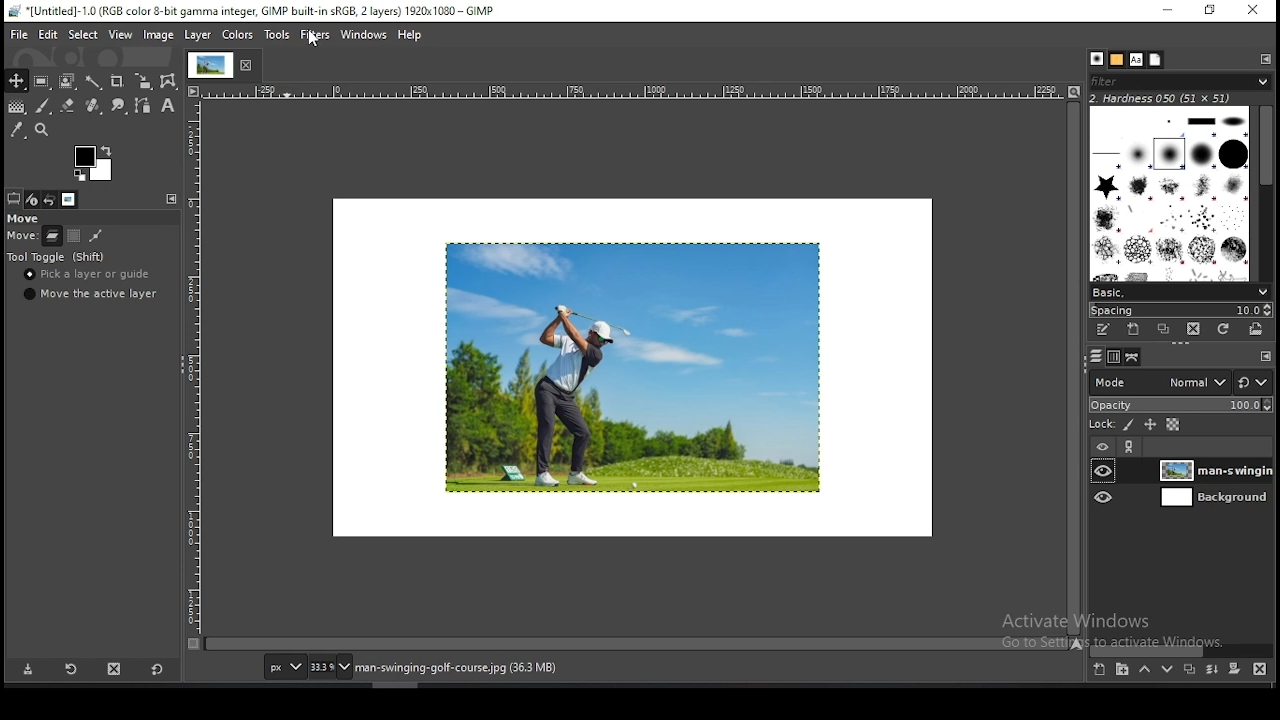 The height and width of the screenshot is (720, 1280). What do you see at coordinates (1104, 331) in the screenshot?
I see `edit this brush` at bounding box center [1104, 331].